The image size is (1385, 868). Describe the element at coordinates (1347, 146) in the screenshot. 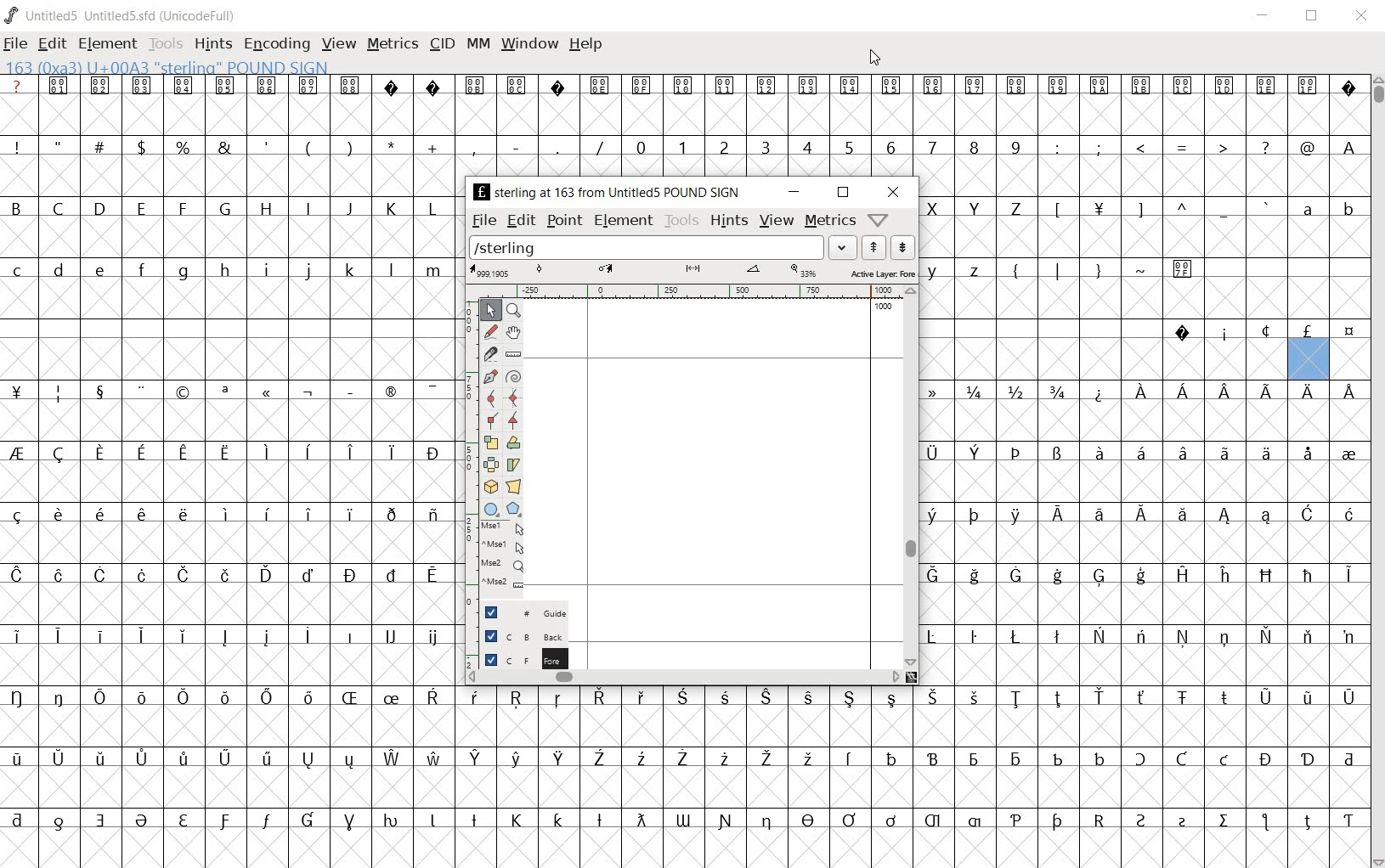

I see `A` at that location.